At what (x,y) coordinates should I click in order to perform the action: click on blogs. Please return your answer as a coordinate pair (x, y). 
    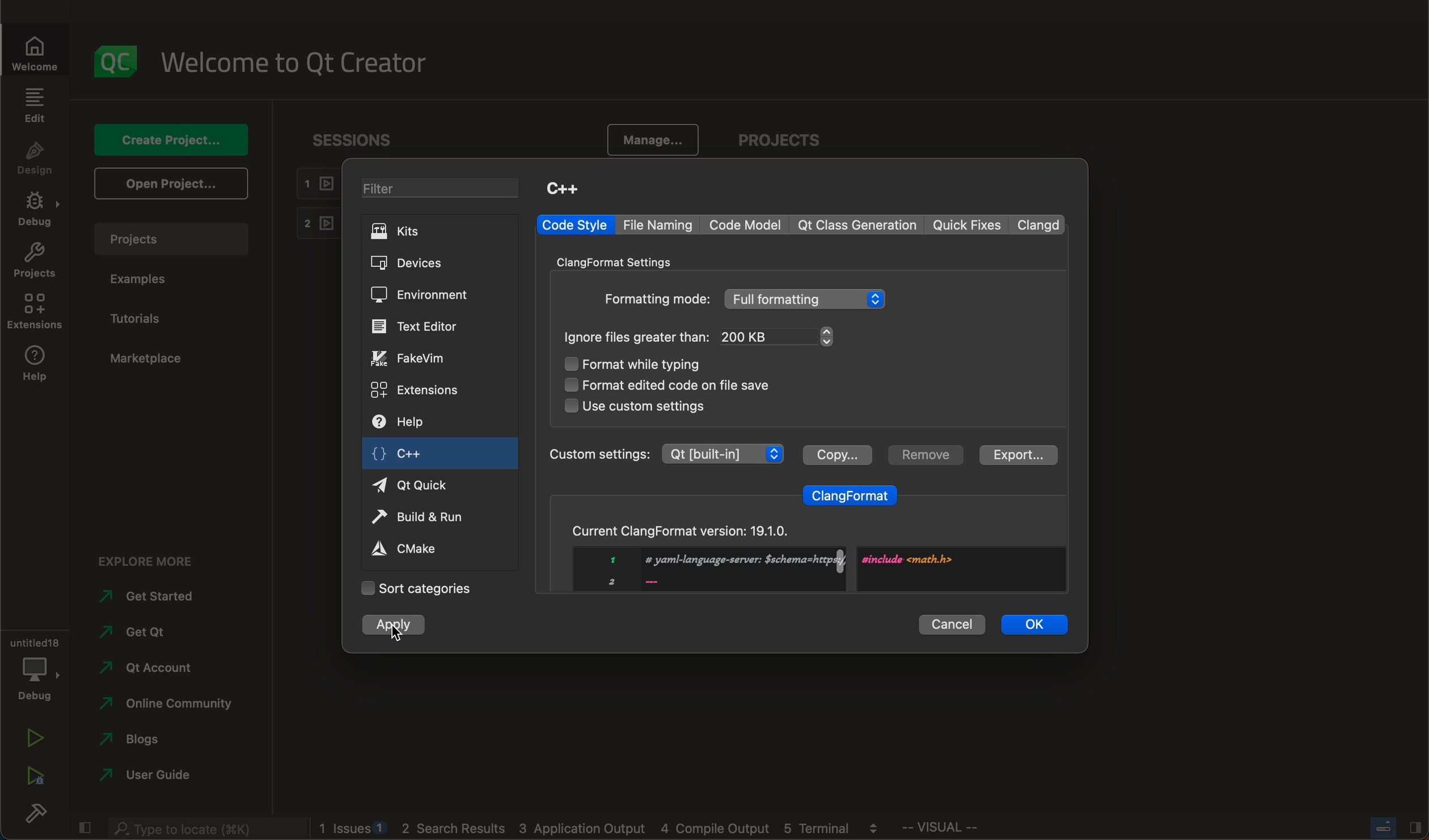
    Looking at the image, I should click on (147, 742).